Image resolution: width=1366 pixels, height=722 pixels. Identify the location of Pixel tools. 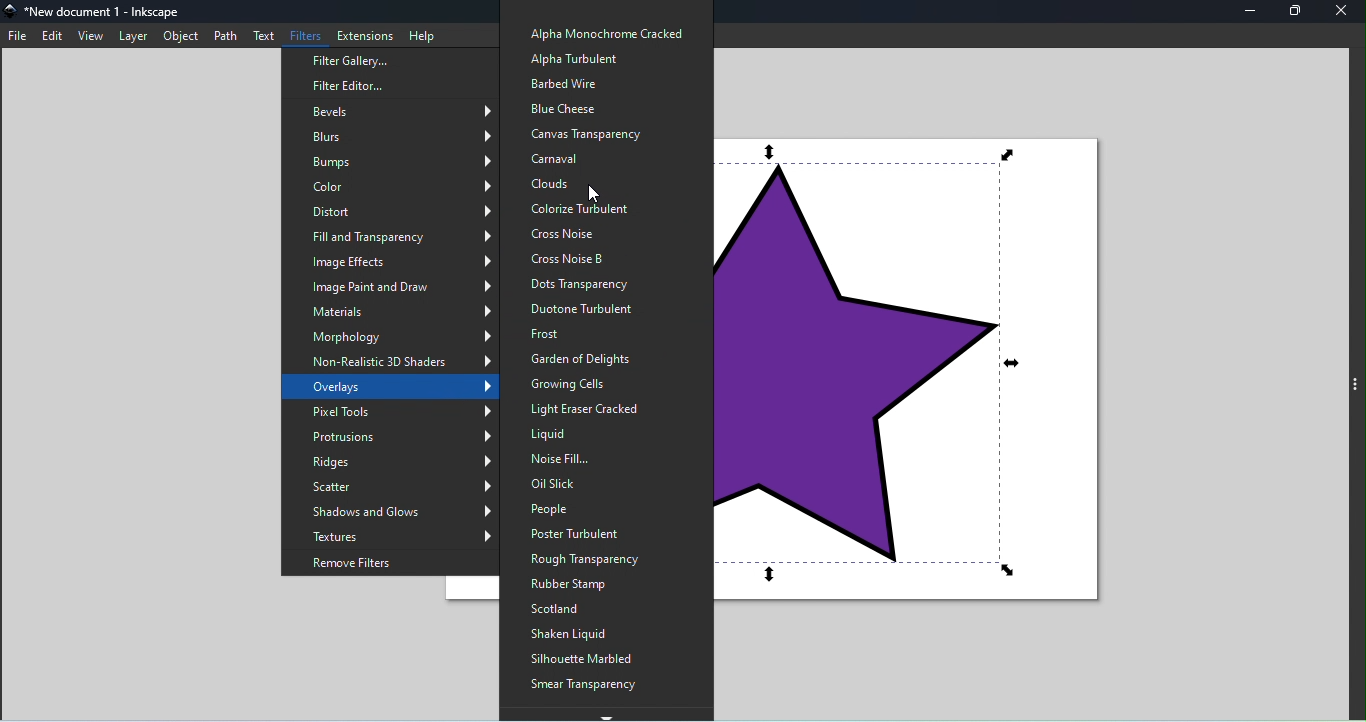
(399, 414).